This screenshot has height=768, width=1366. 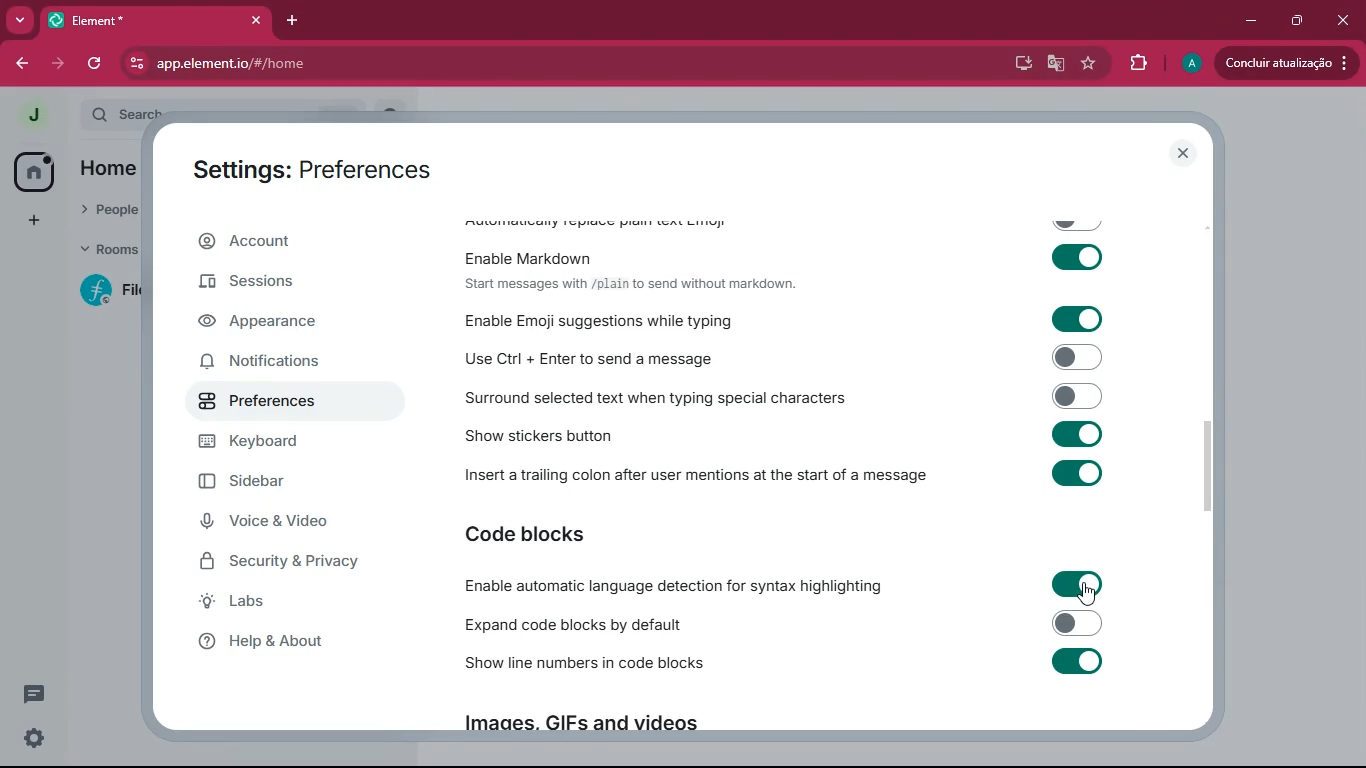 I want to click on home, so click(x=33, y=172).